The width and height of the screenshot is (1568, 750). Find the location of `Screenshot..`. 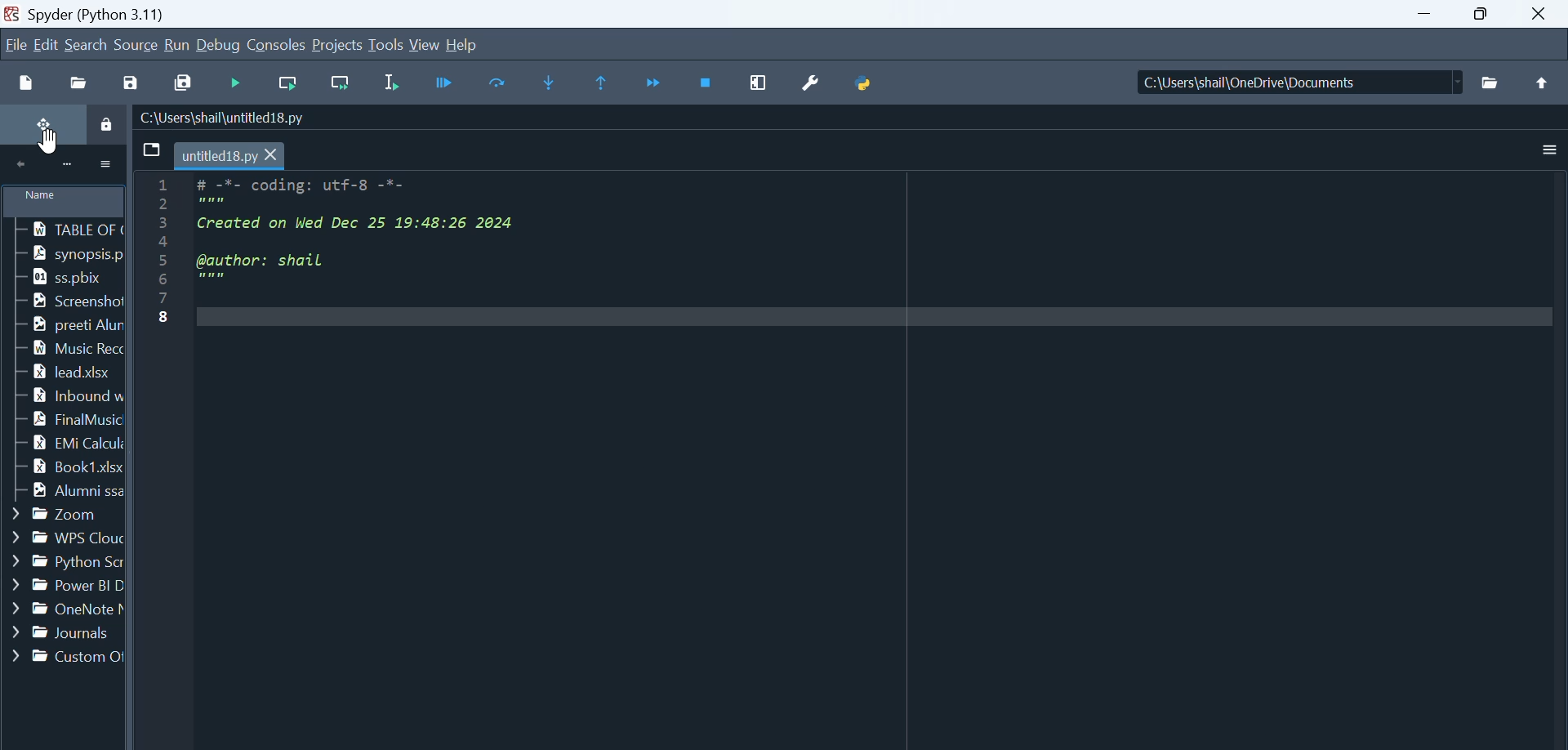

Screenshot.. is located at coordinates (57, 303).